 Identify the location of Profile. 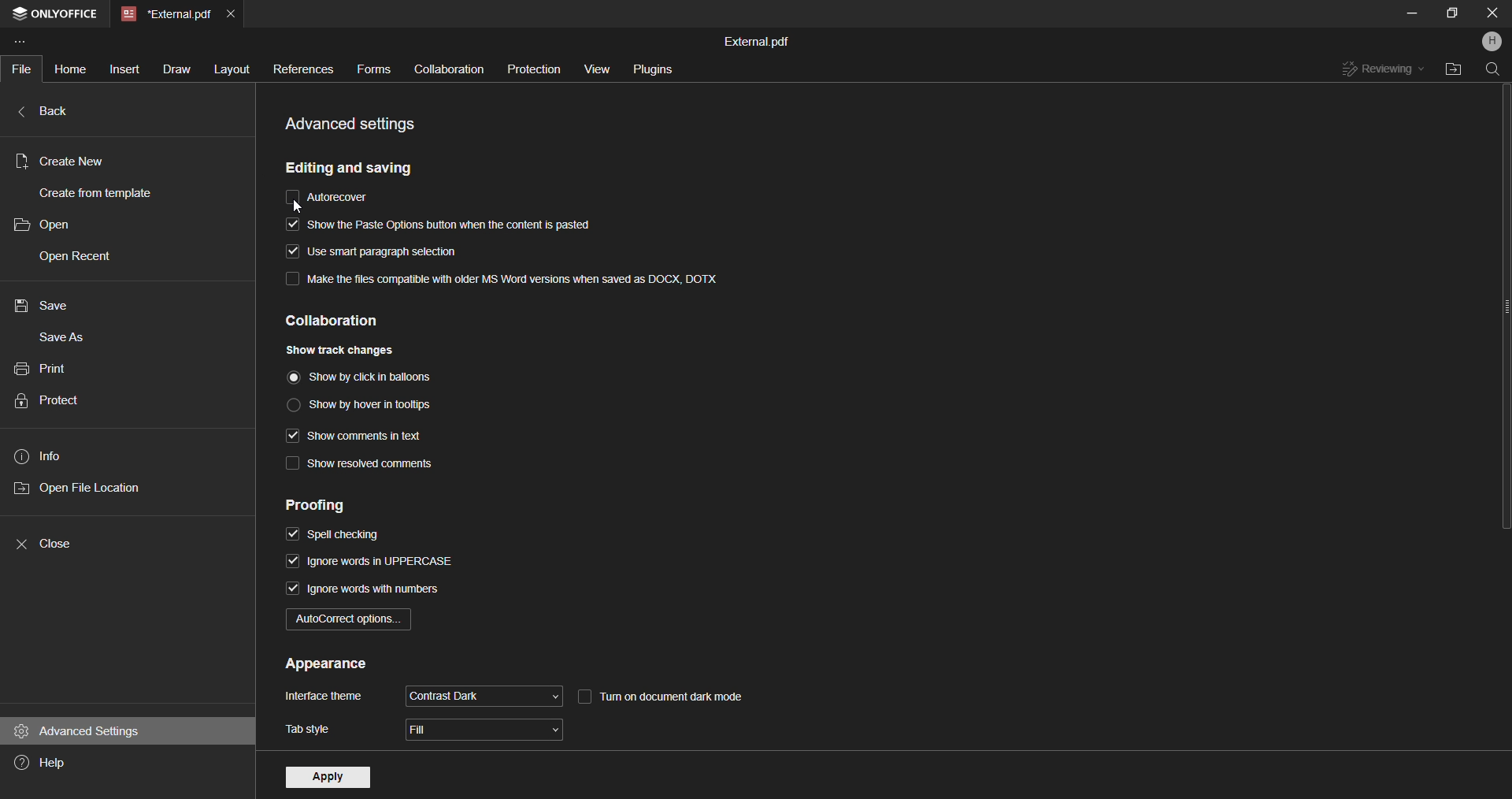
(1493, 40).